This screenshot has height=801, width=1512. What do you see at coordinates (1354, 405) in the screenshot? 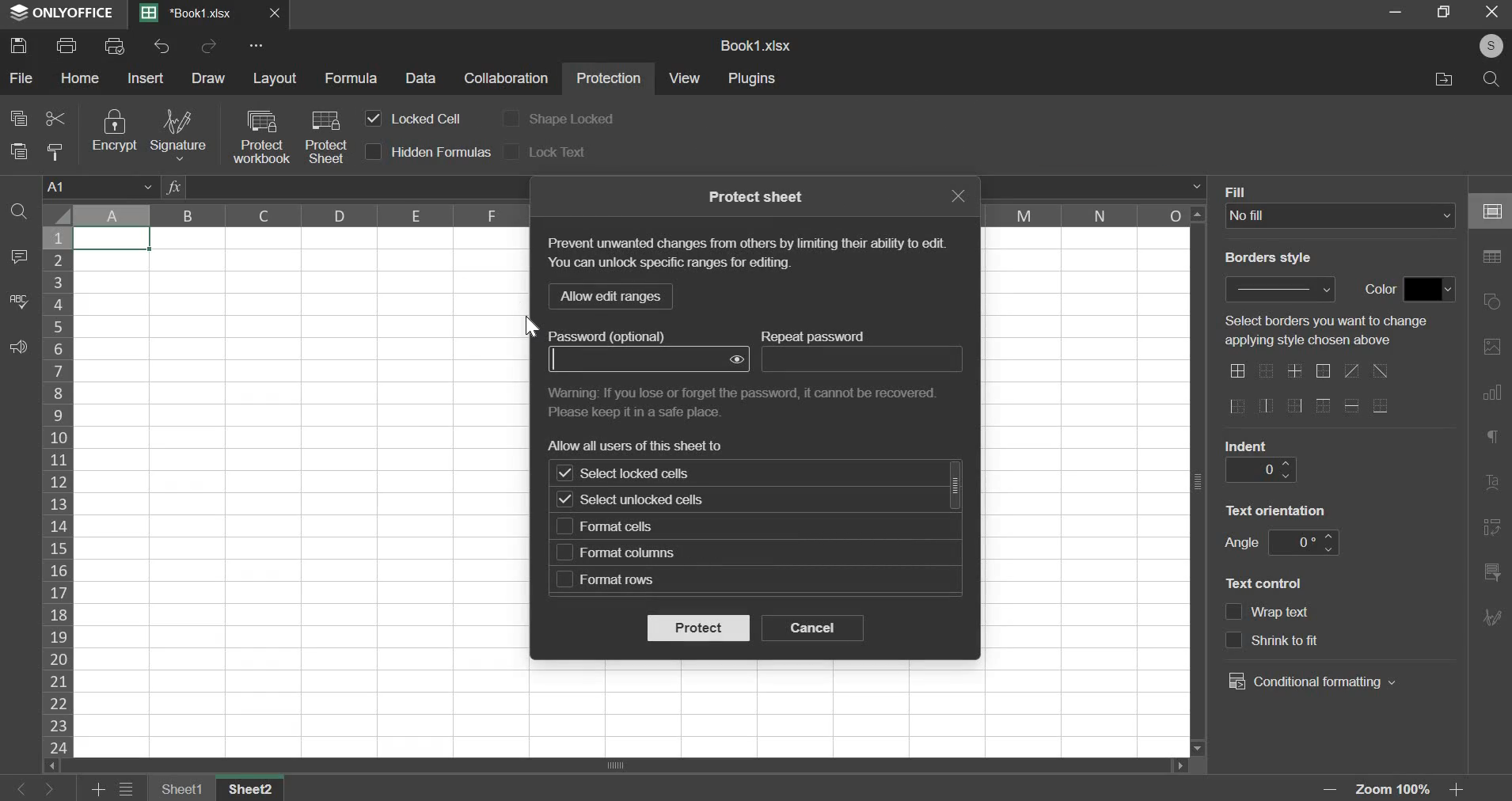
I see `border options` at bounding box center [1354, 405].